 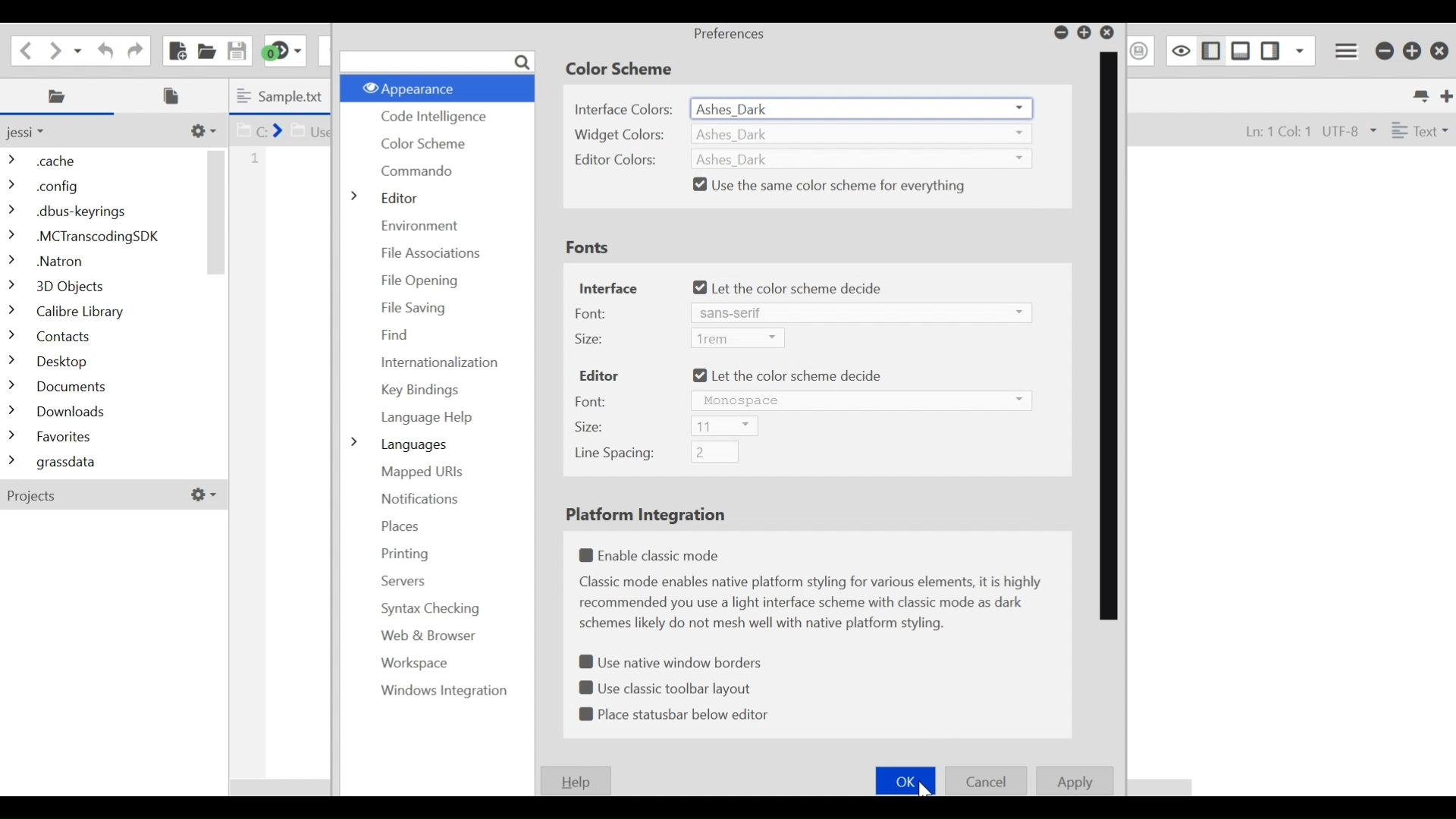 What do you see at coordinates (1348, 131) in the screenshot?
I see `File Encoding dropdown menu` at bounding box center [1348, 131].